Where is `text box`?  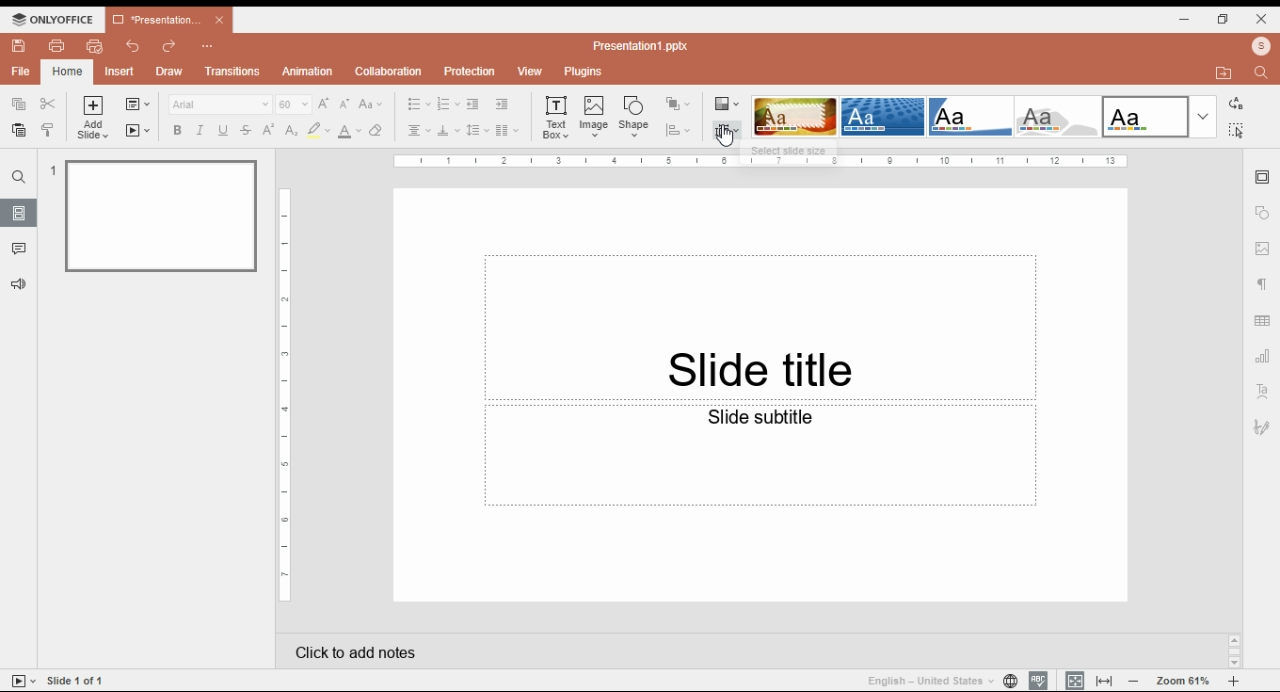
text box is located at coordinates (558, 116).